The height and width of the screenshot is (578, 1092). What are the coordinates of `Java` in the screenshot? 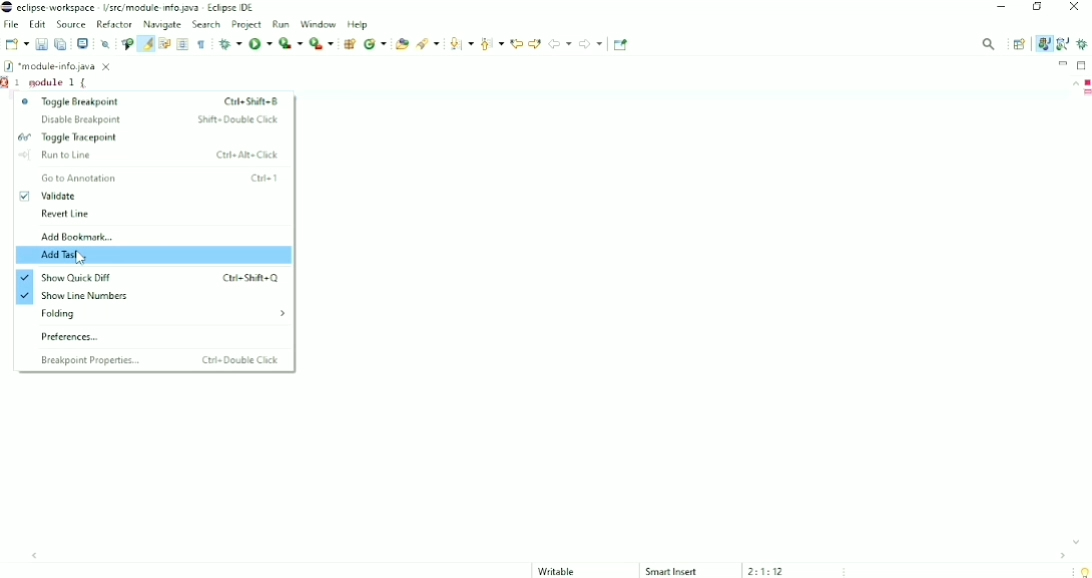 It's located at (1043, 43).